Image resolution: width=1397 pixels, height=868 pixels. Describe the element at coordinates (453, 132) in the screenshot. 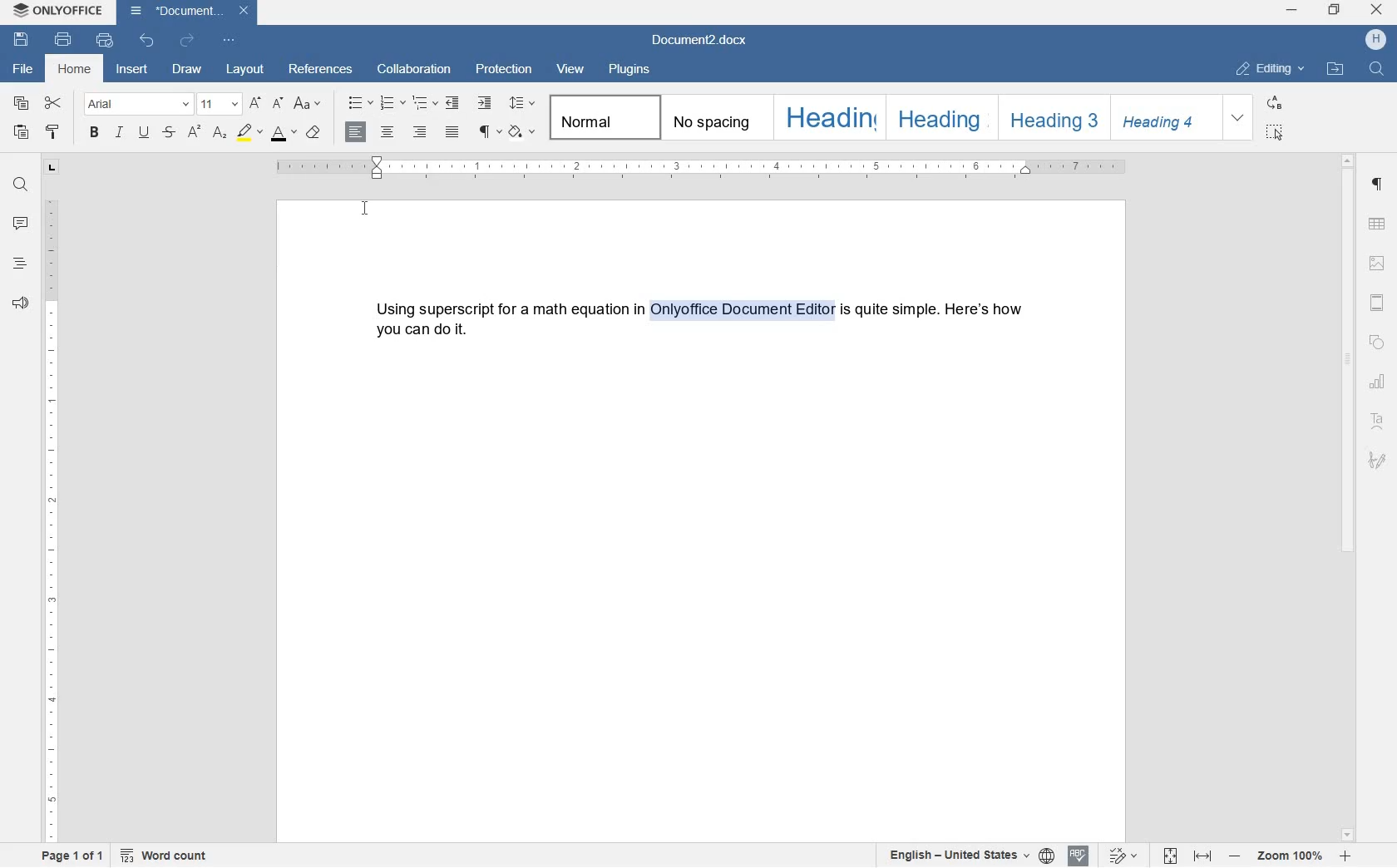

I see `justified` at that location.